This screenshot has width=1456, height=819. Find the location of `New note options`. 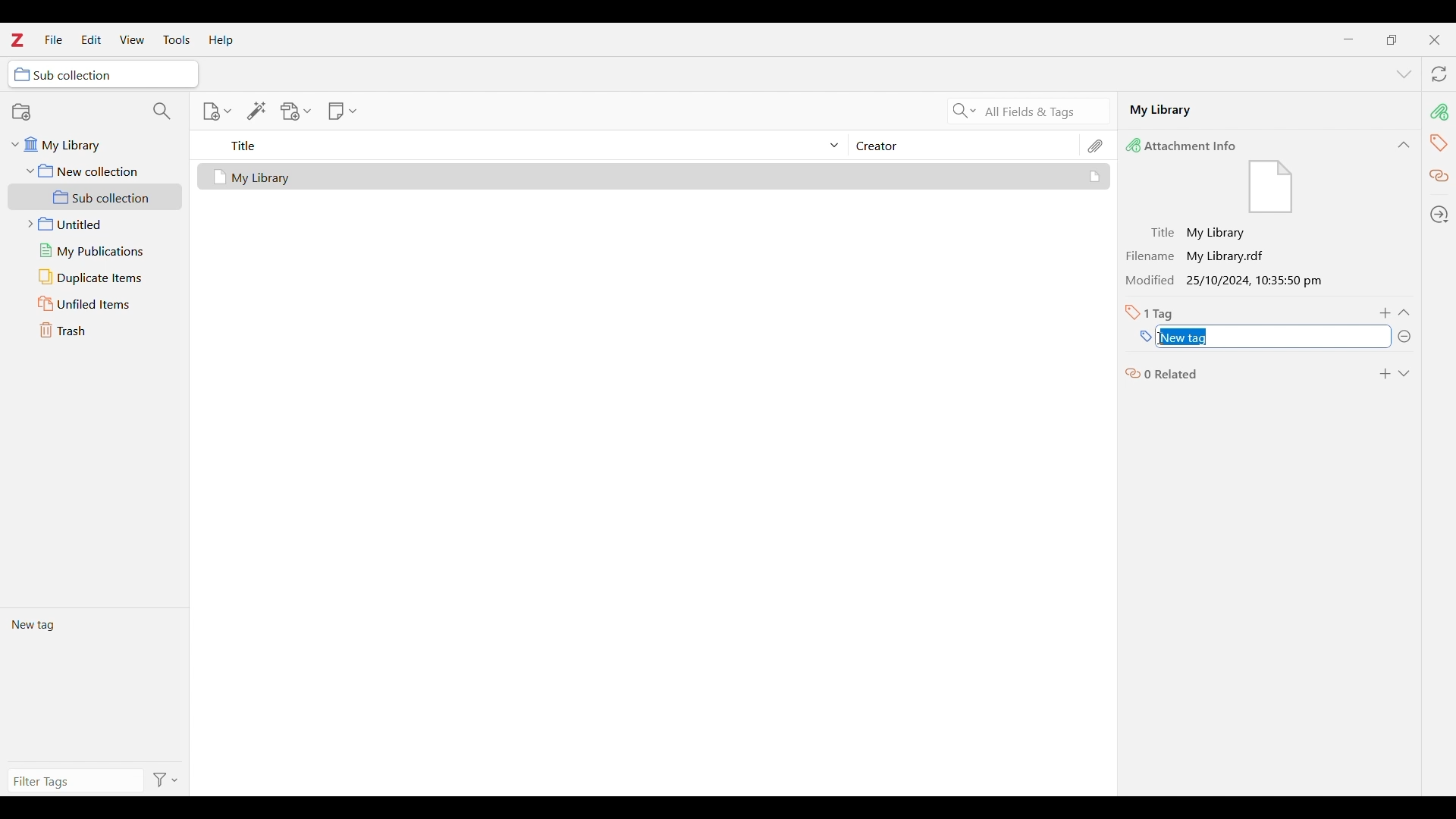

New note options is located at coordinates (343, 111).